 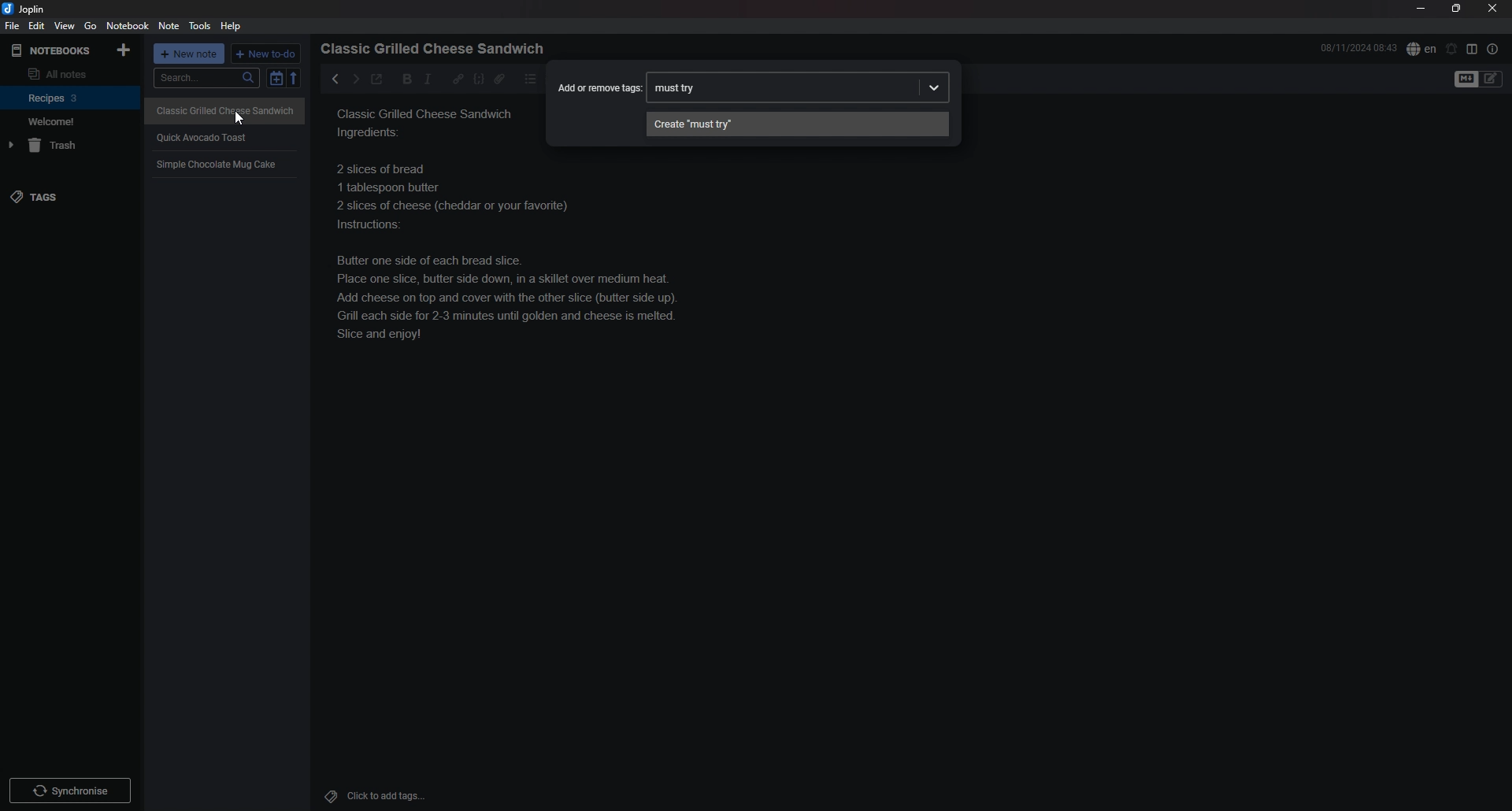 What do you see at coordinates (531, 79) in the screenshot?
I see `bullet list` at bounding box center [531, 79].